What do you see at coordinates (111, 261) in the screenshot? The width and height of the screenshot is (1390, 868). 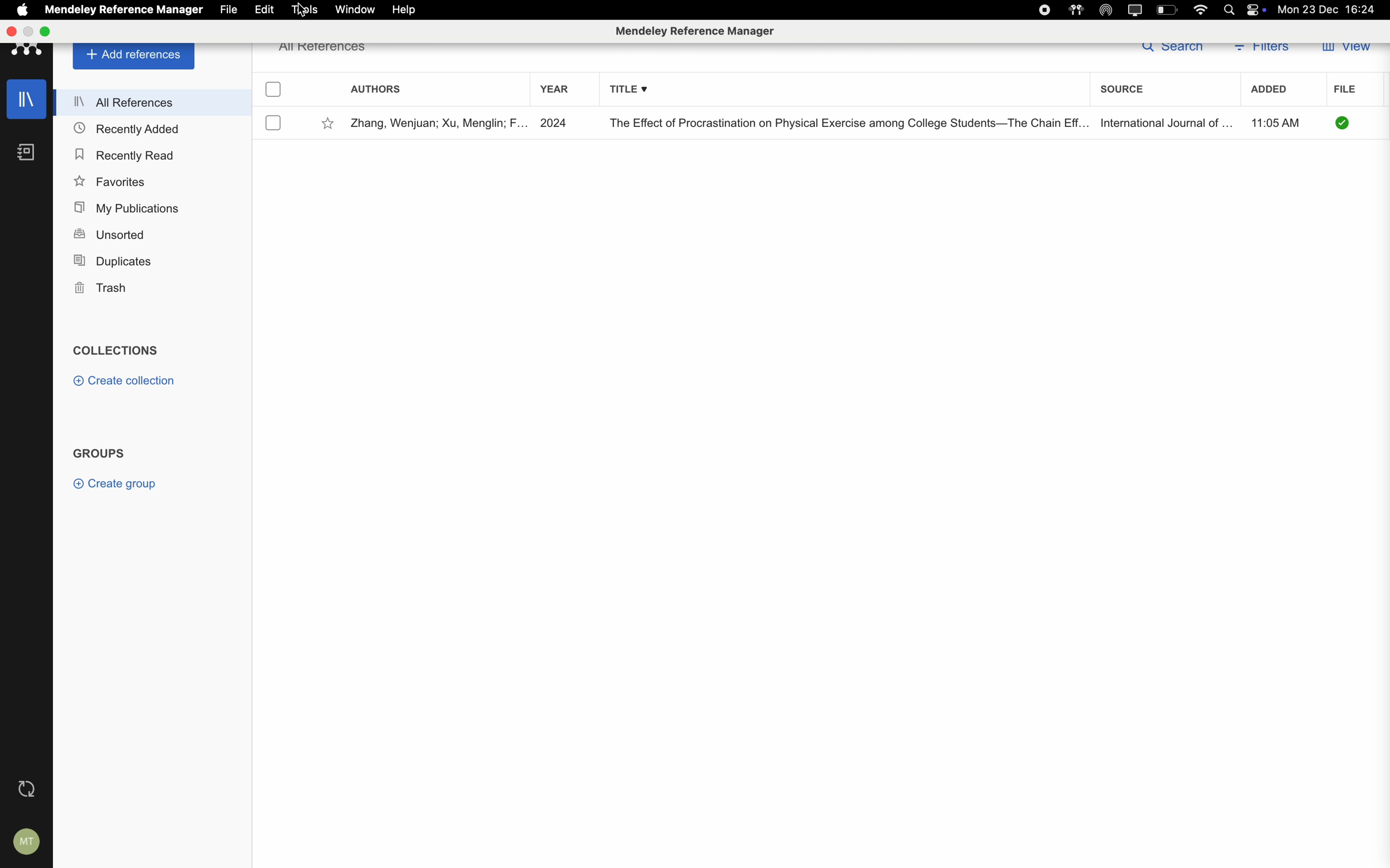 I see `duplicates` at bounding box center [111, 261].